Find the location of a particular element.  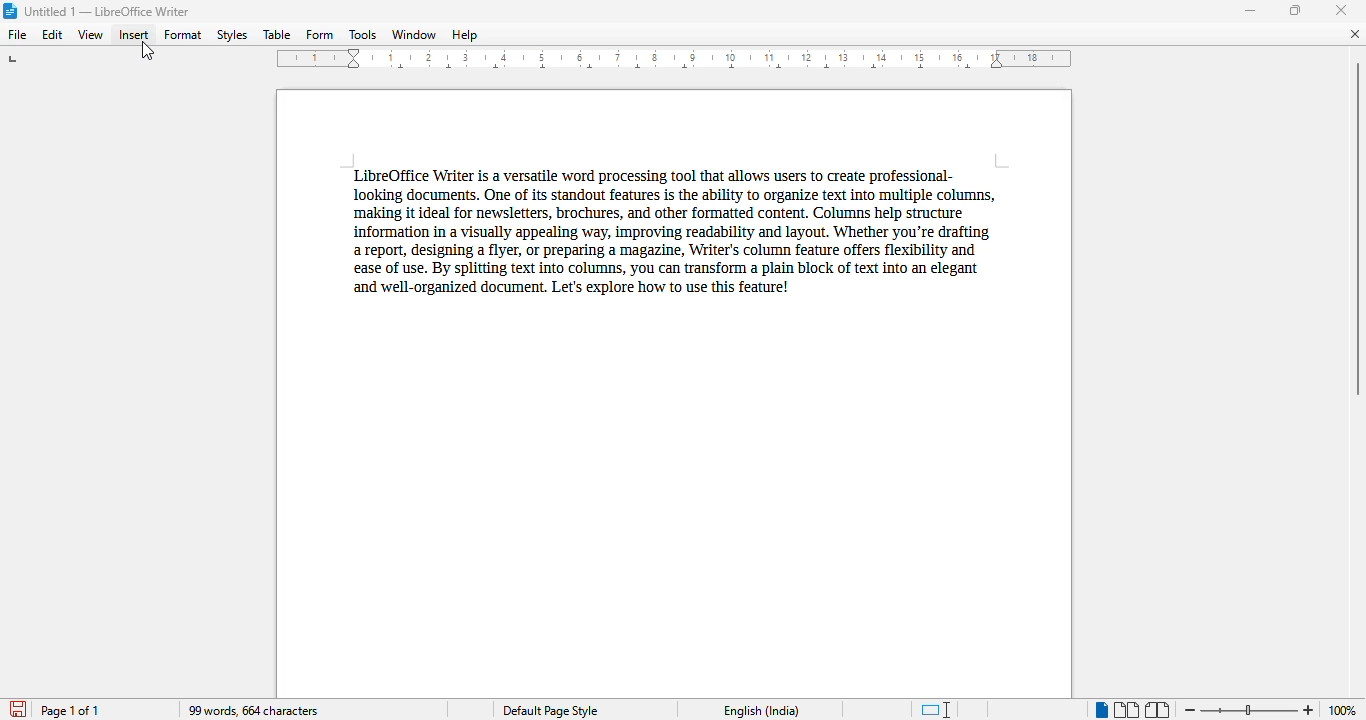

file is located at coordinates (16, 34).